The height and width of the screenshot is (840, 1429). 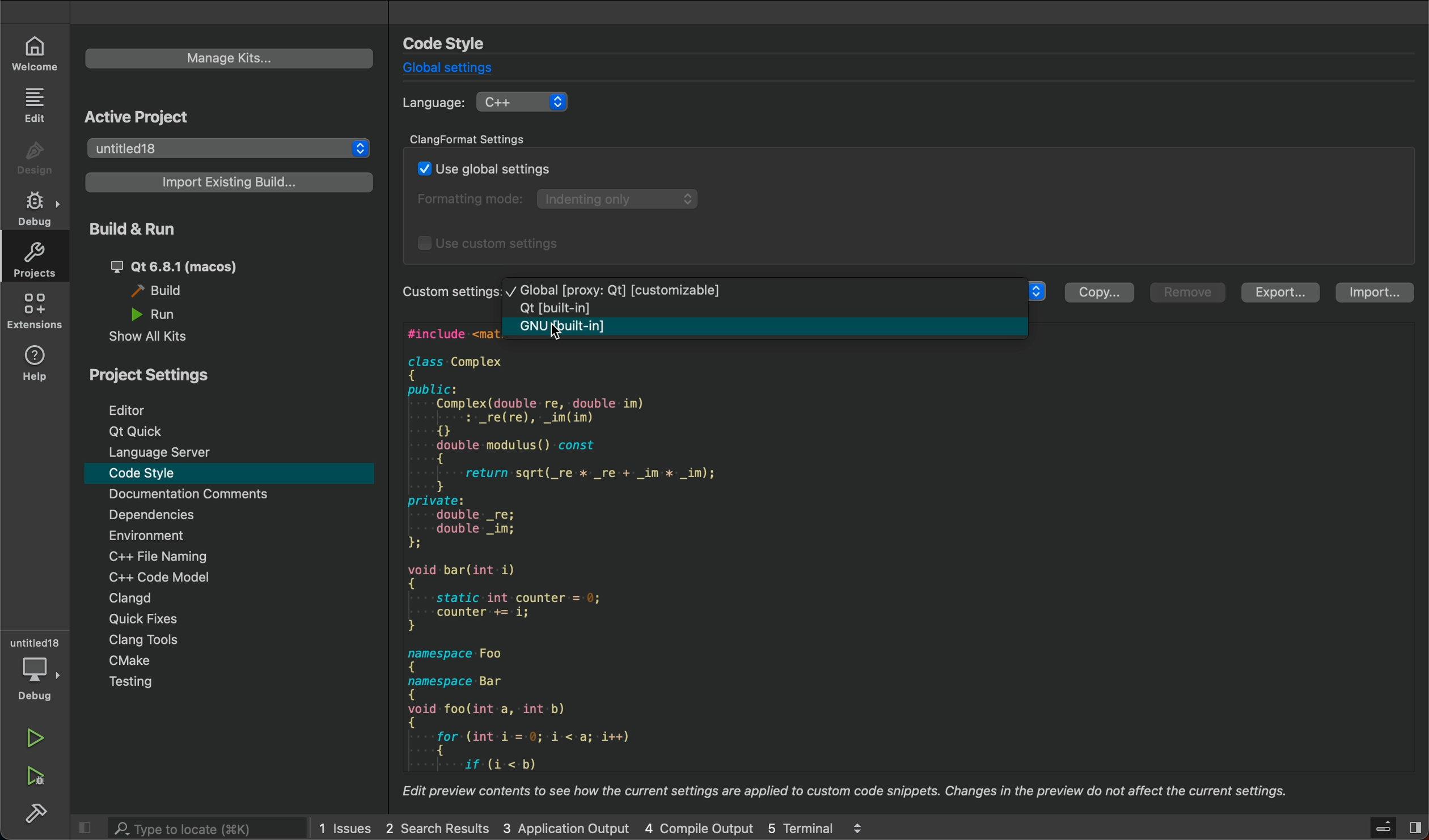 What do you see at coordinates (147, 641) in the screenshot?
I see `clang tools` at bounding box center [147, 641].